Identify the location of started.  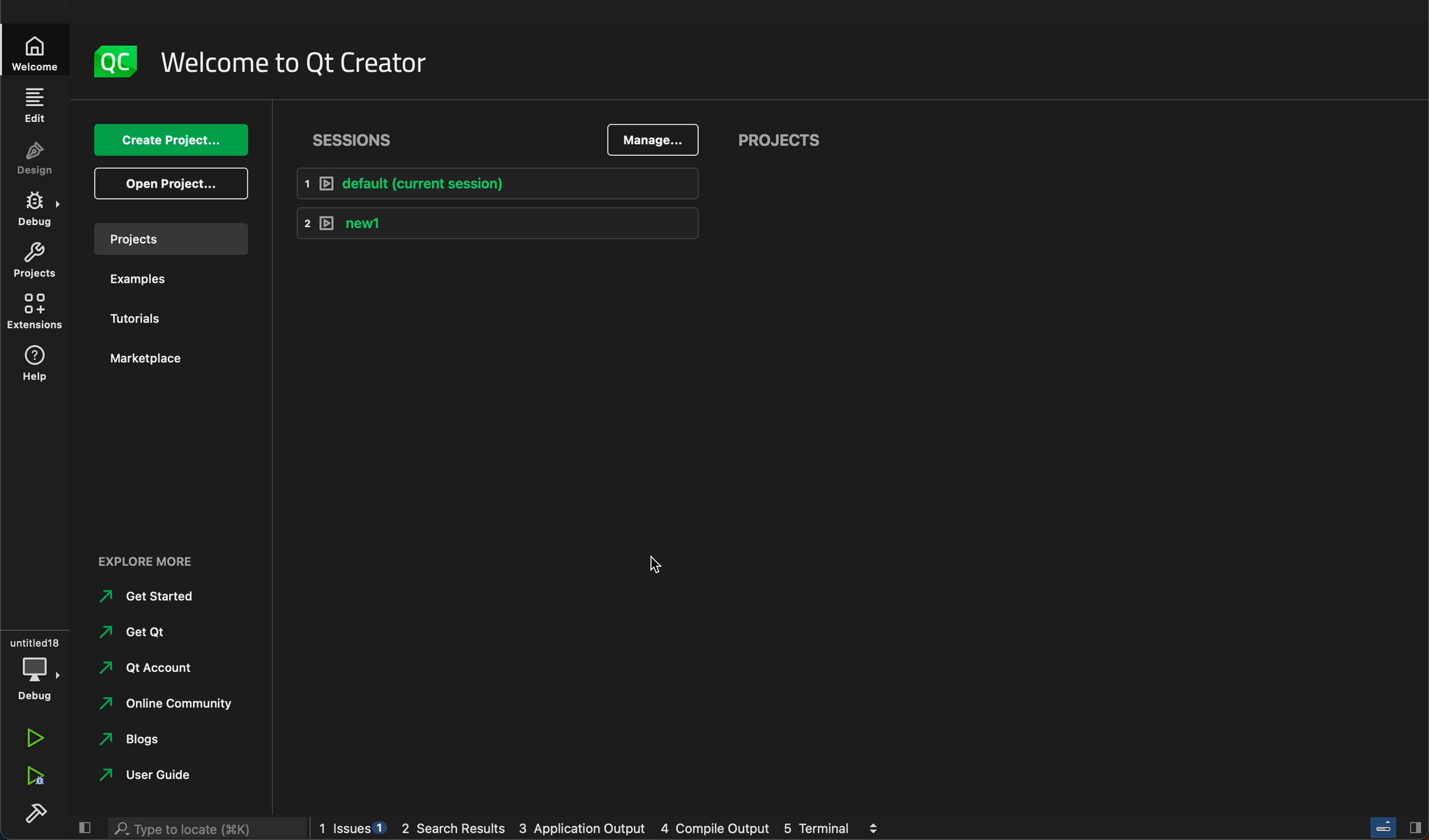
(146, 595).